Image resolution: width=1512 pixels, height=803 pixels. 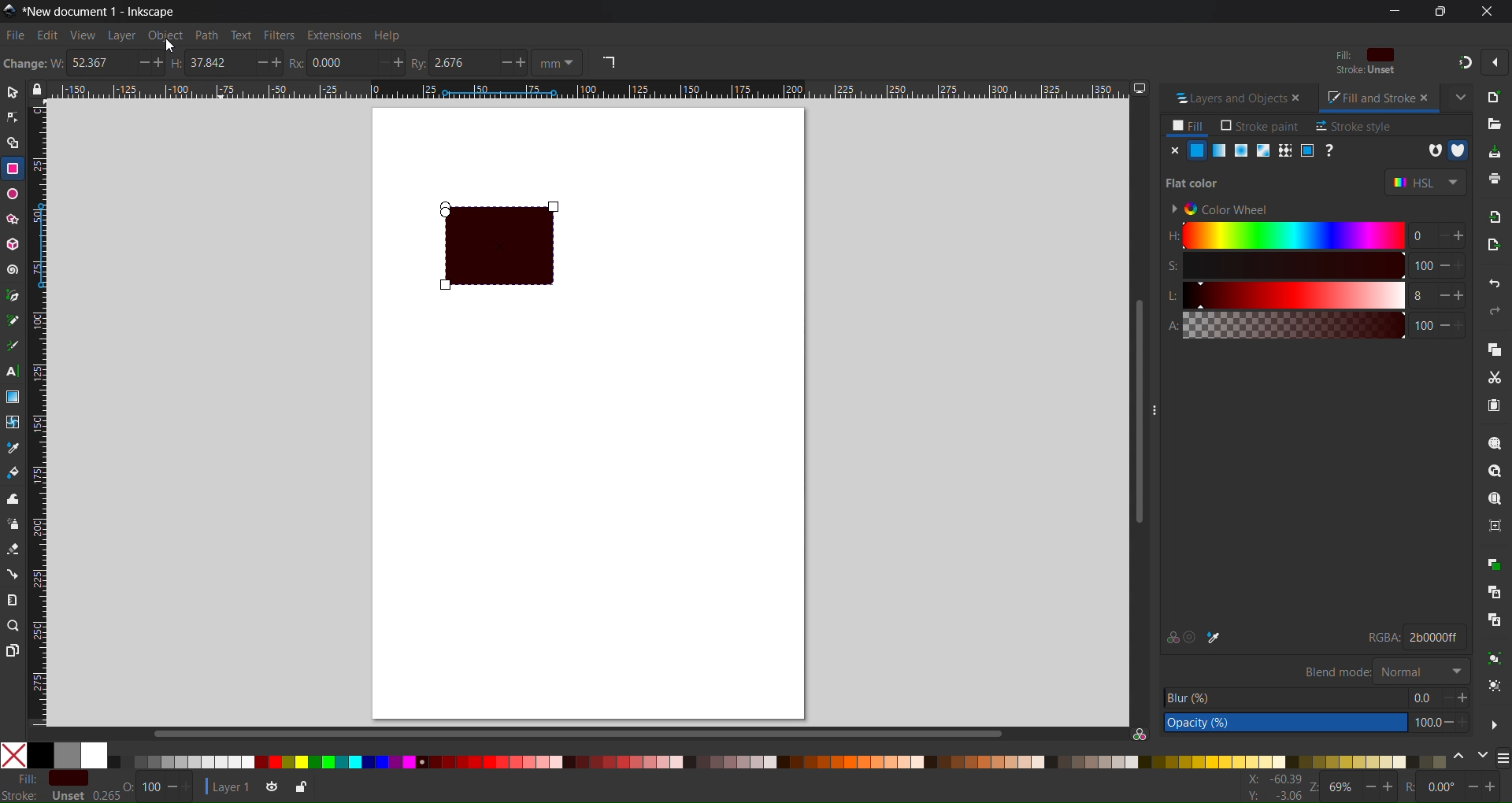 What do you see at coordinates (13, 269) in the screenshot?
I see `Spiral Tool` at bounding box center [13, 269].